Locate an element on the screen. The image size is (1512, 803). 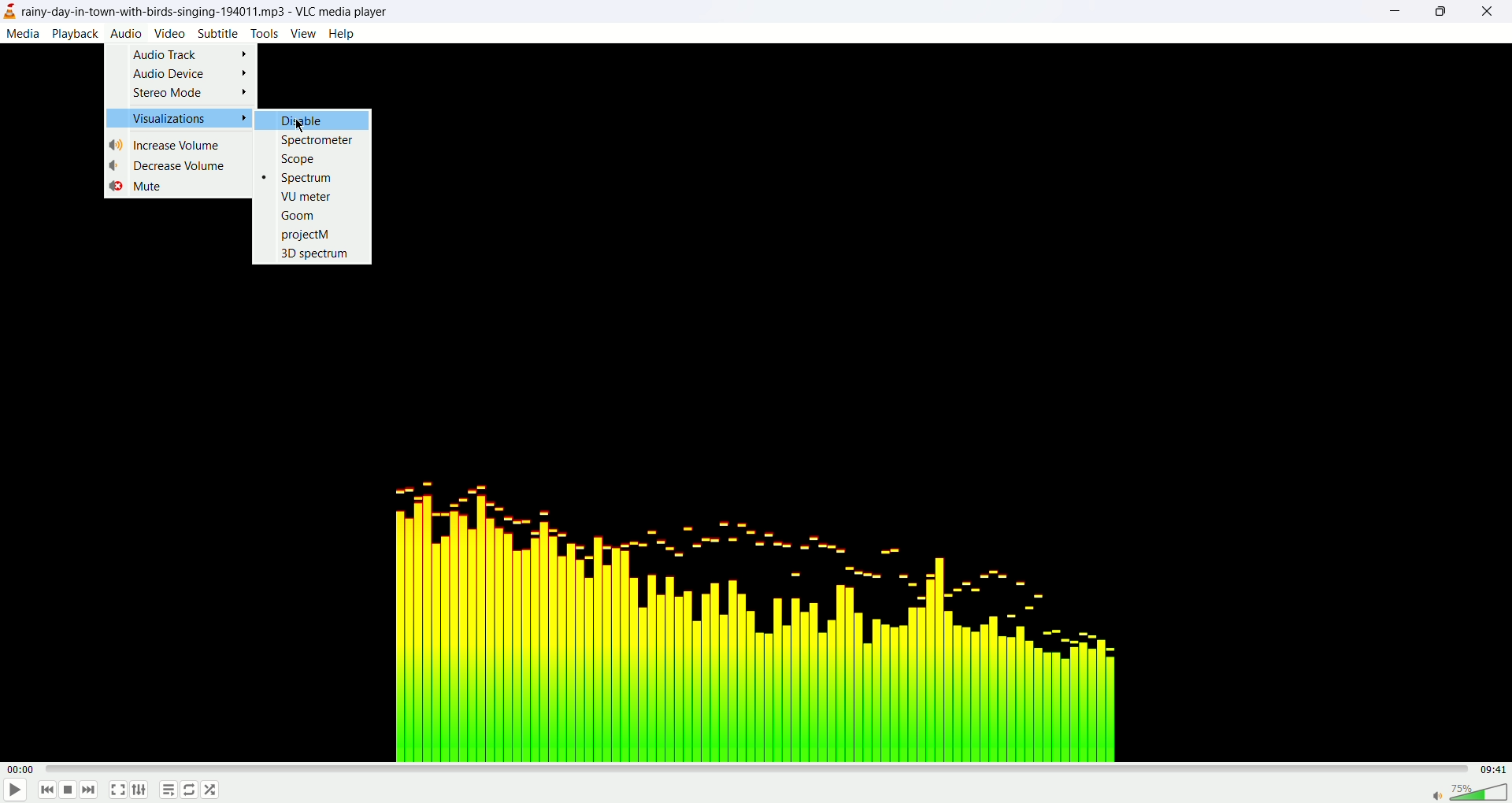
total time is located at coordinates (1496, 769).